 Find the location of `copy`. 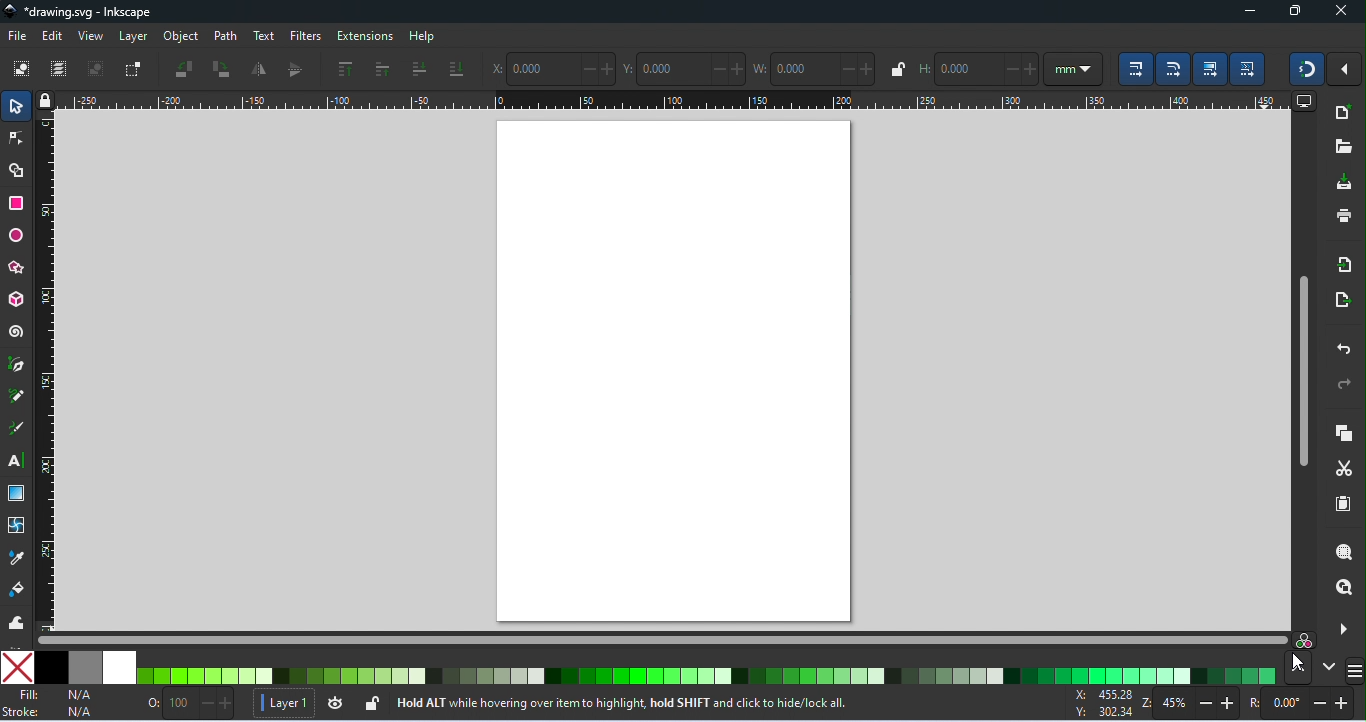

copy is located at coordinates (1344, 434).